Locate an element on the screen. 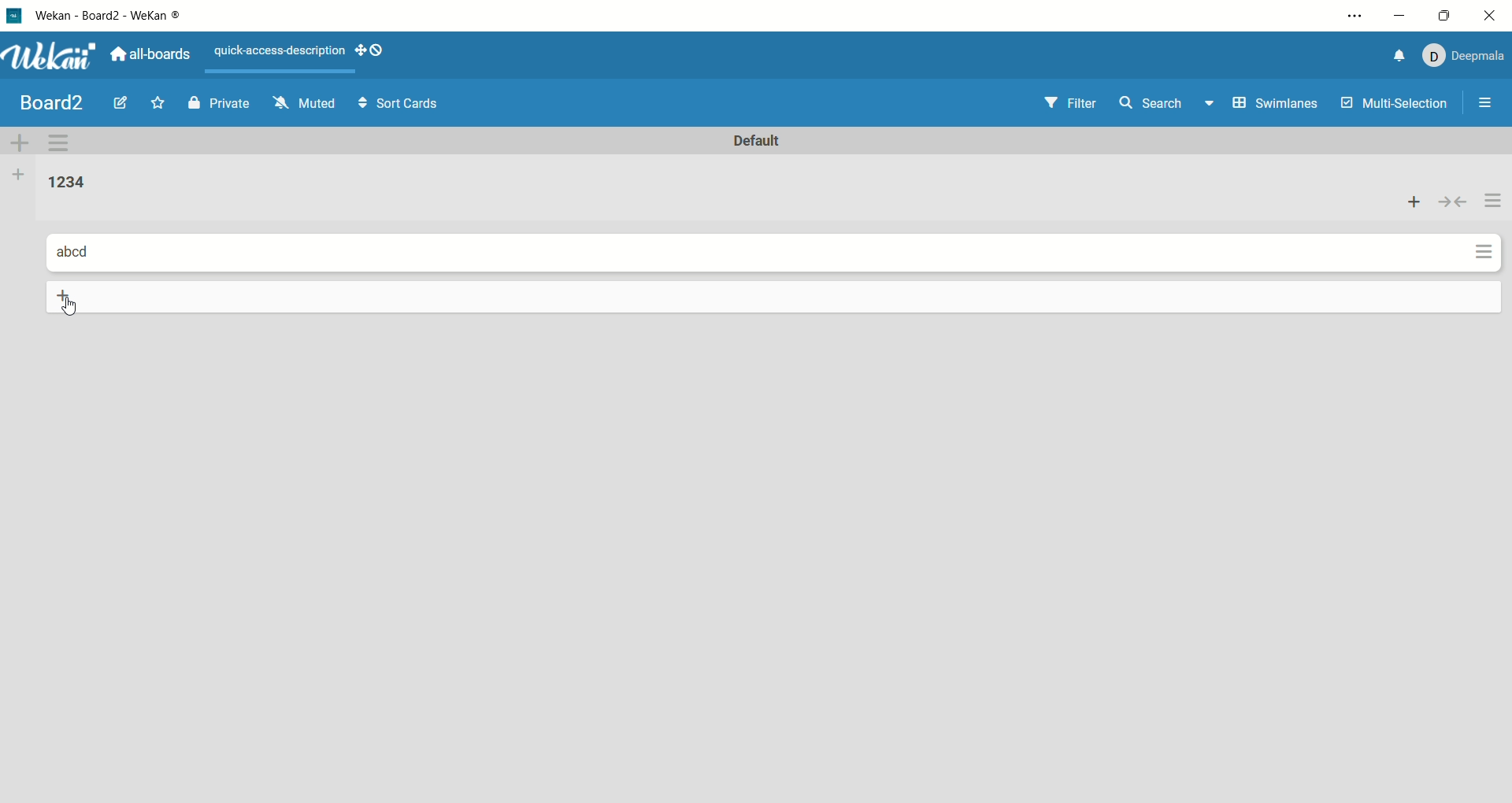  filter is located at coordinates (1060, 100).